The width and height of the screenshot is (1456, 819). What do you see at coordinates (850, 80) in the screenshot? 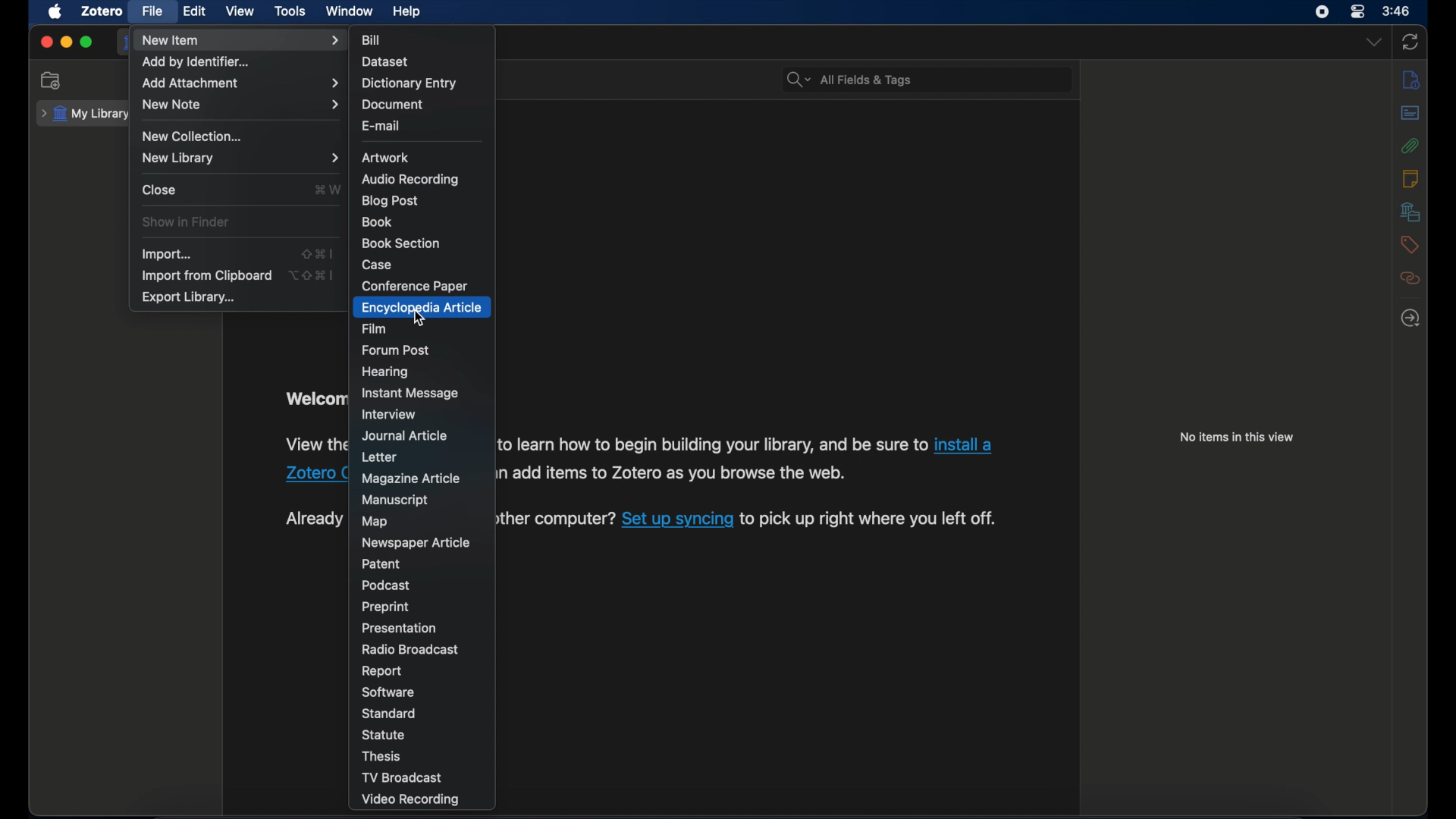
I see `search bar` at bounding box center [850, 80].